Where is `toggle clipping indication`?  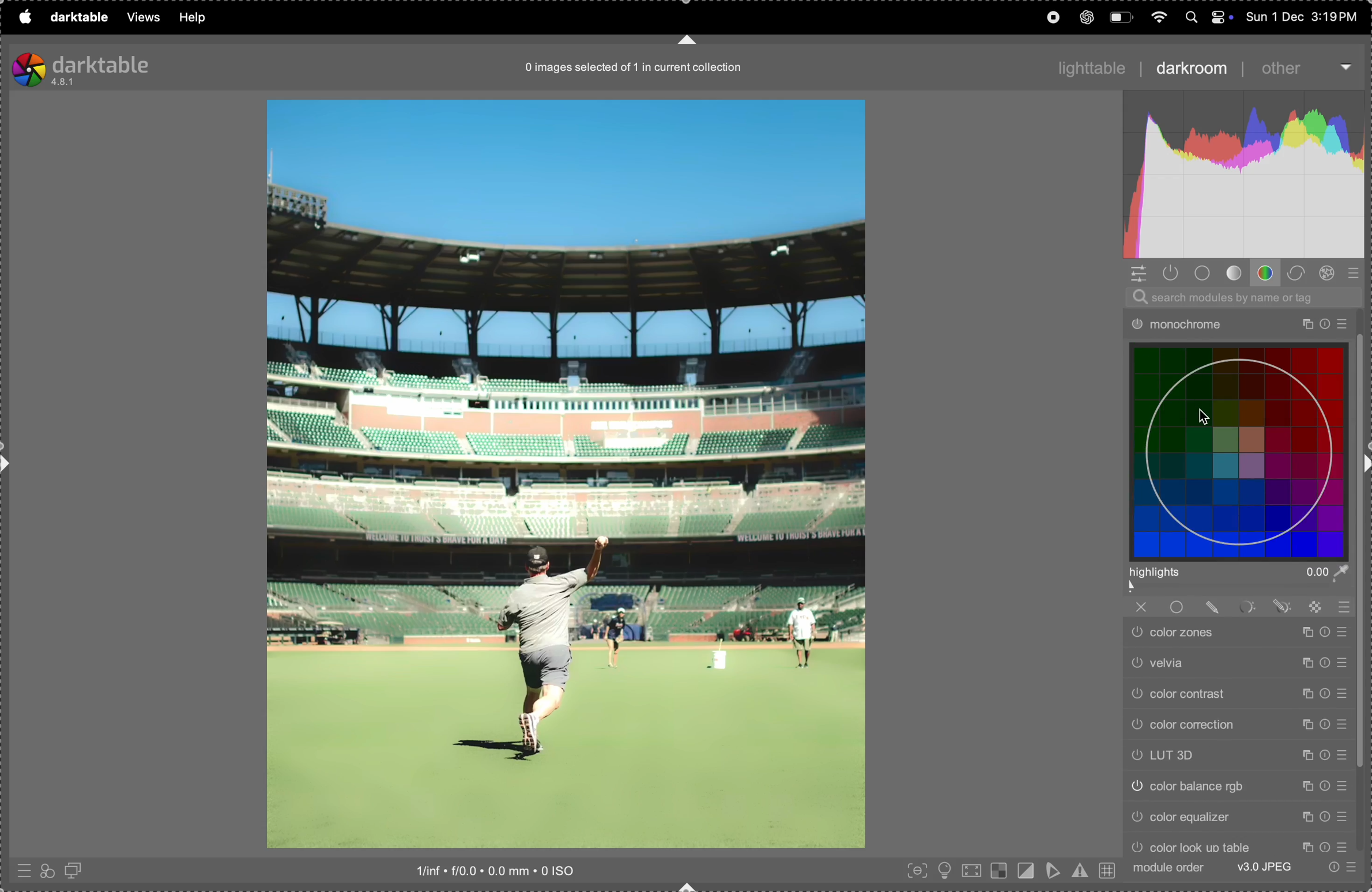 toggle clipping indication is located at coordinates (1026, 869).